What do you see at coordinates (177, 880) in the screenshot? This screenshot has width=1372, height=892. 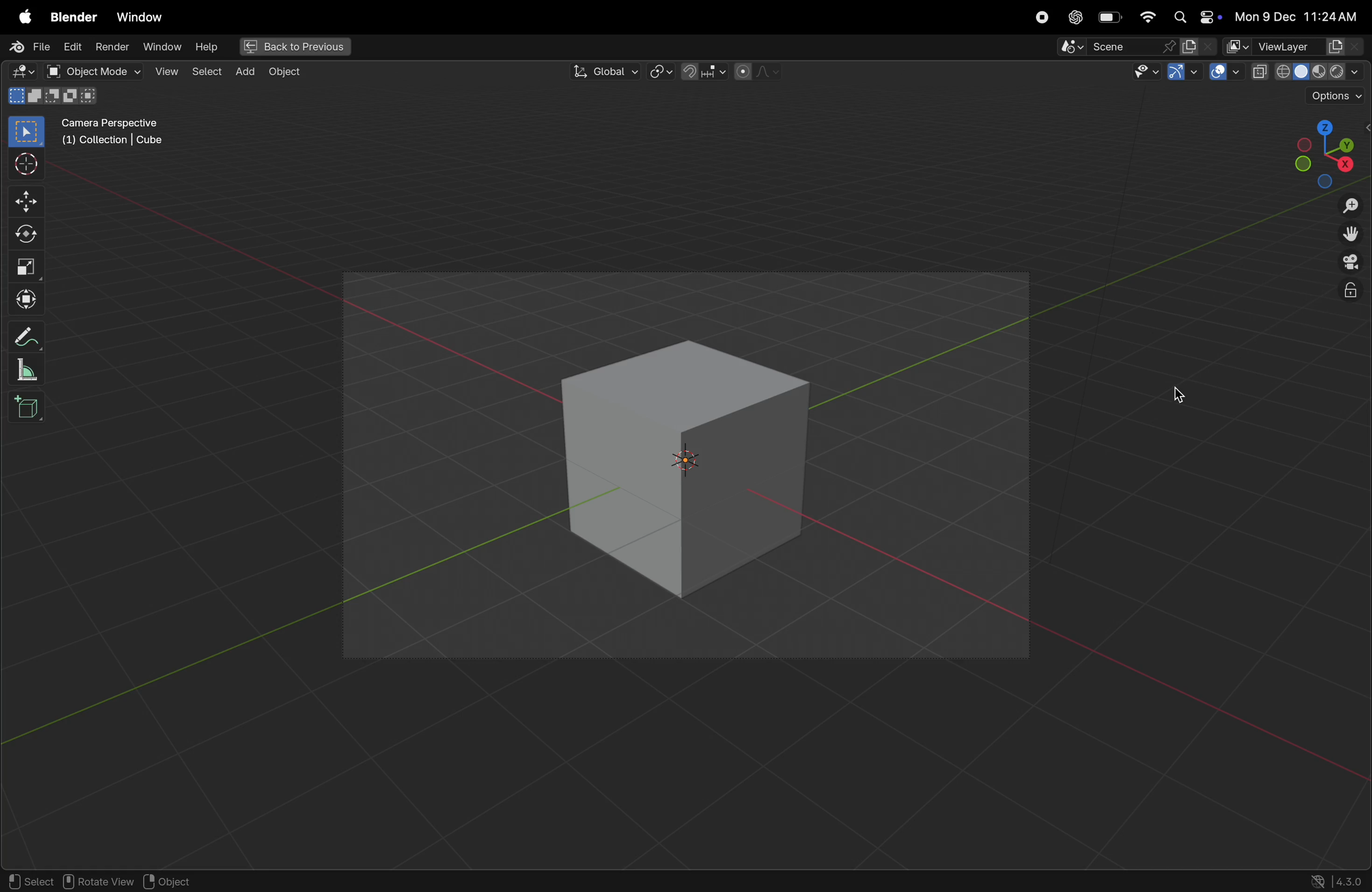 I see `object` at bounding box center [177, 880].